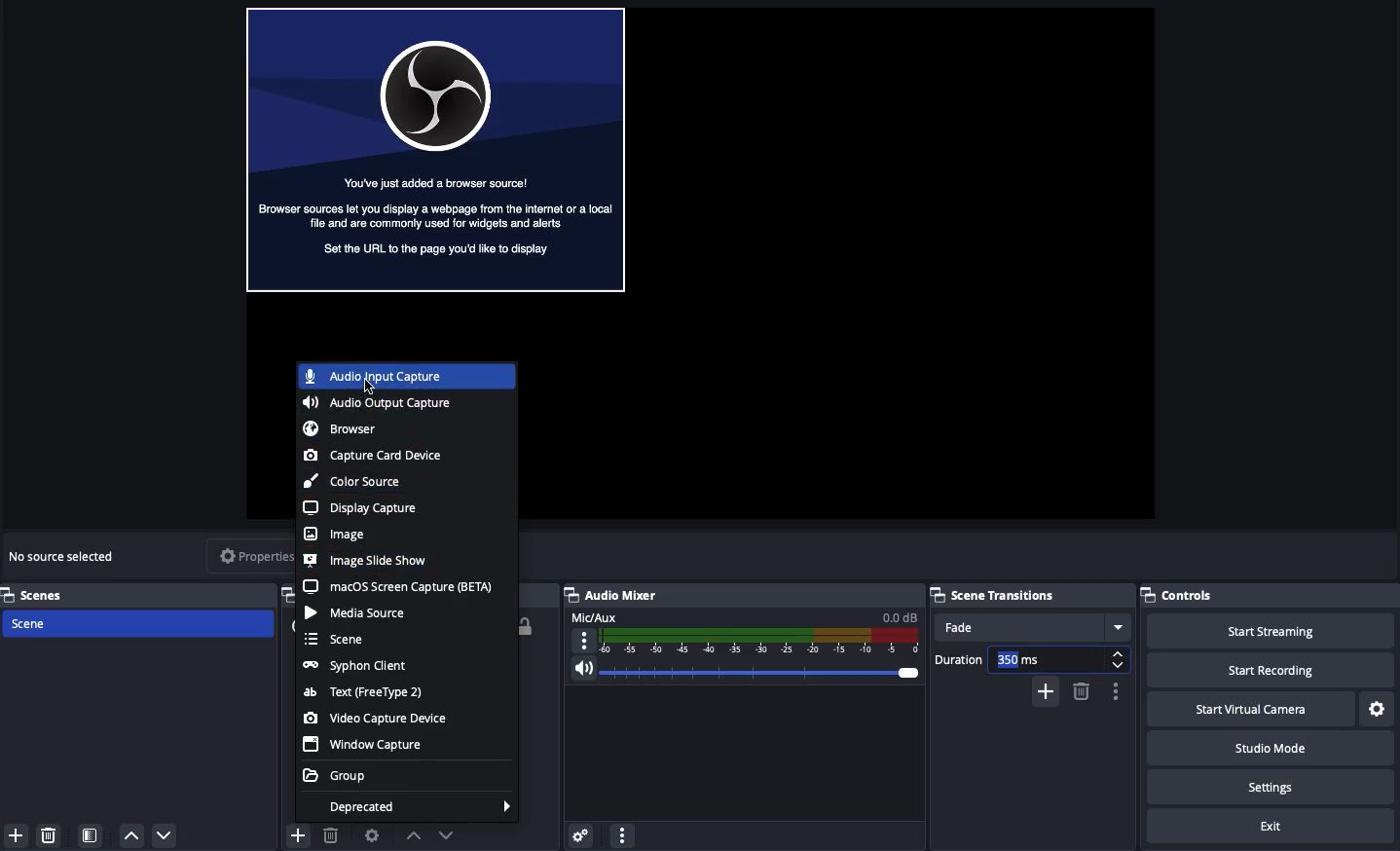 This screenshot has width=1400, height=851. What do you see at coordinates (46, 595) in the screenshot?
I see `Scenes` at bounding box center [46, 595].